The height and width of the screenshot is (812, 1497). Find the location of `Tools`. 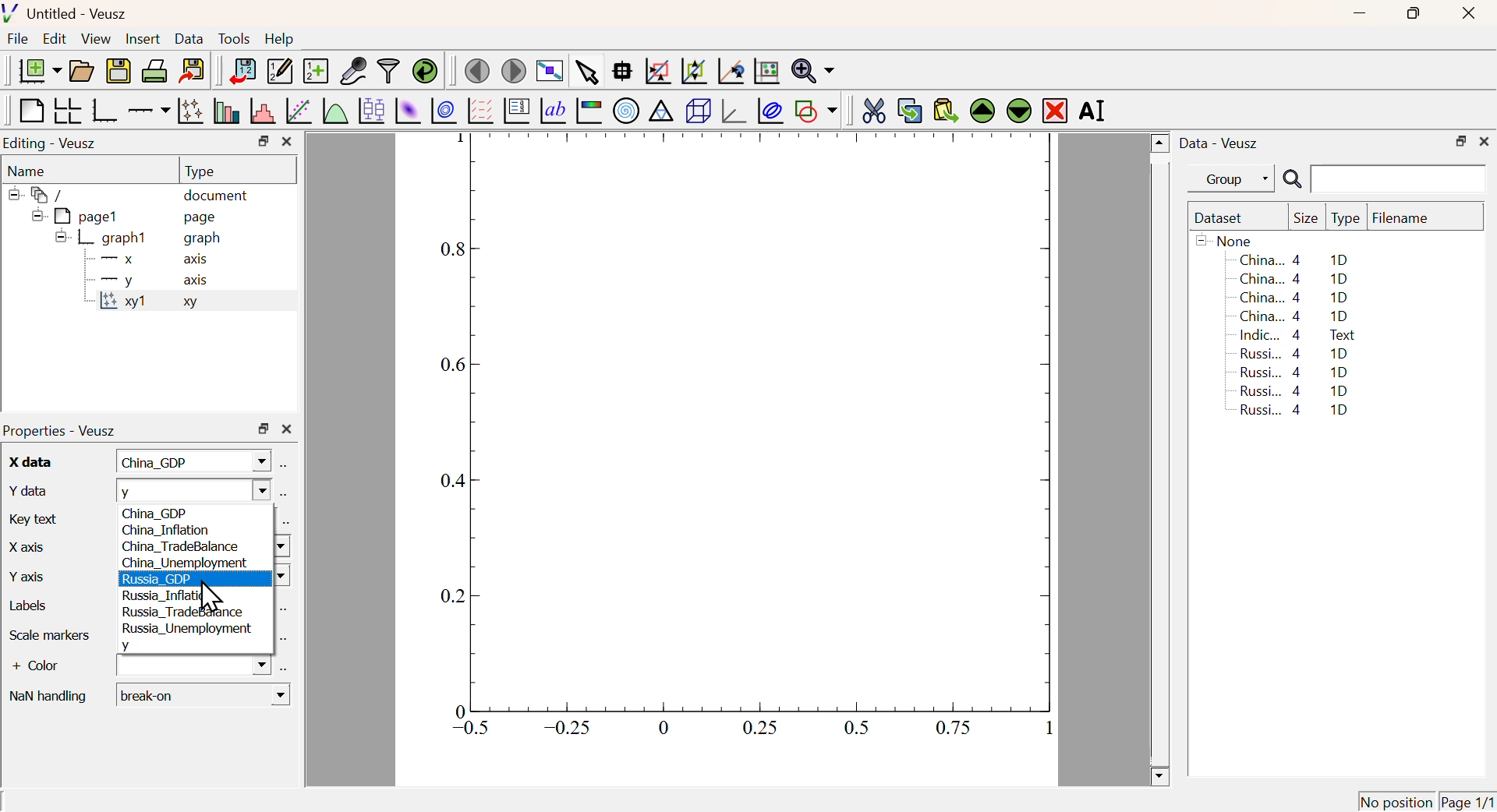

Tools is located at coordinates (234, 40).